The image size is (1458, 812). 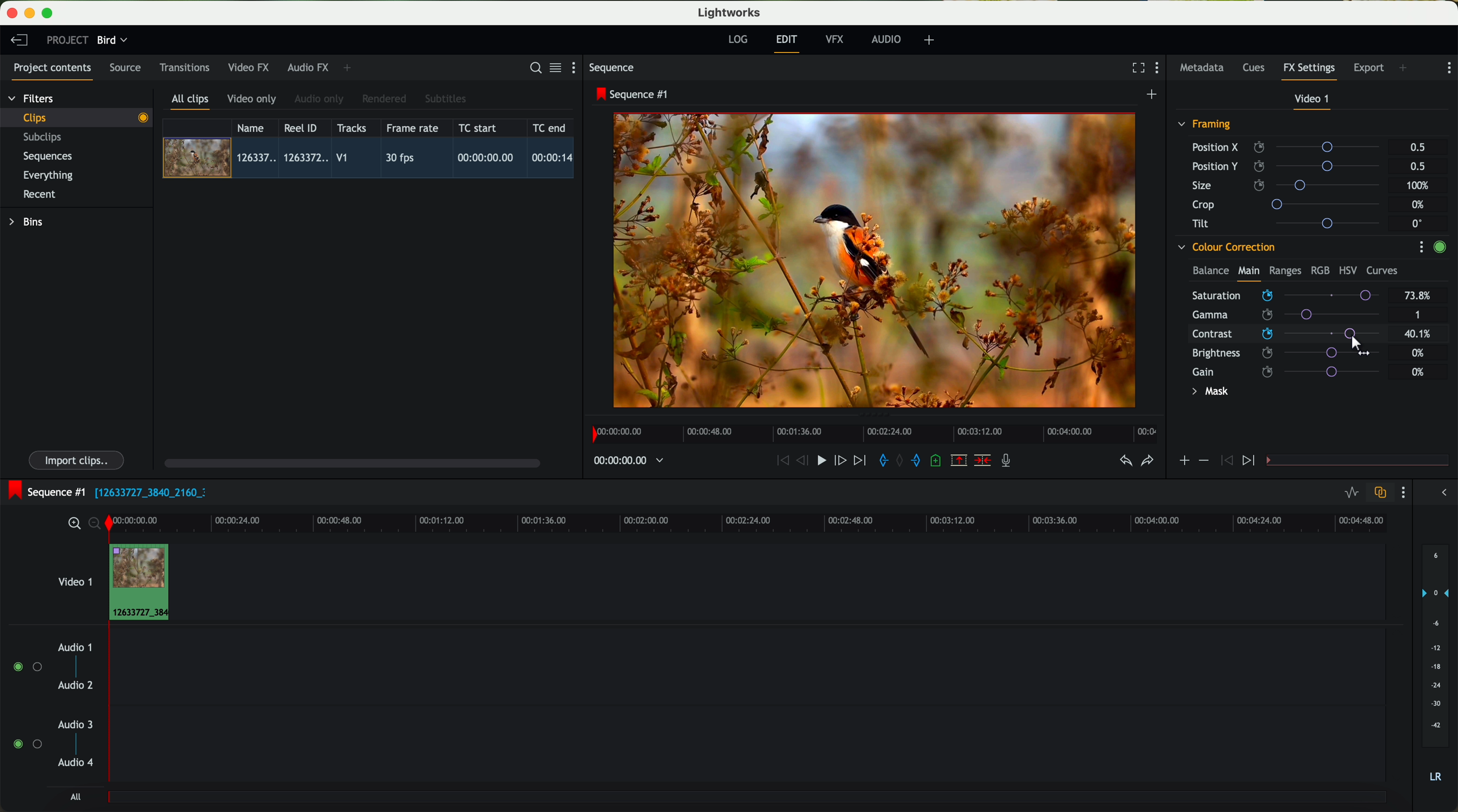 What do you see at coordinates (19, 41) in the screenshot?
I see `leave` at bounding box center [19, 41].